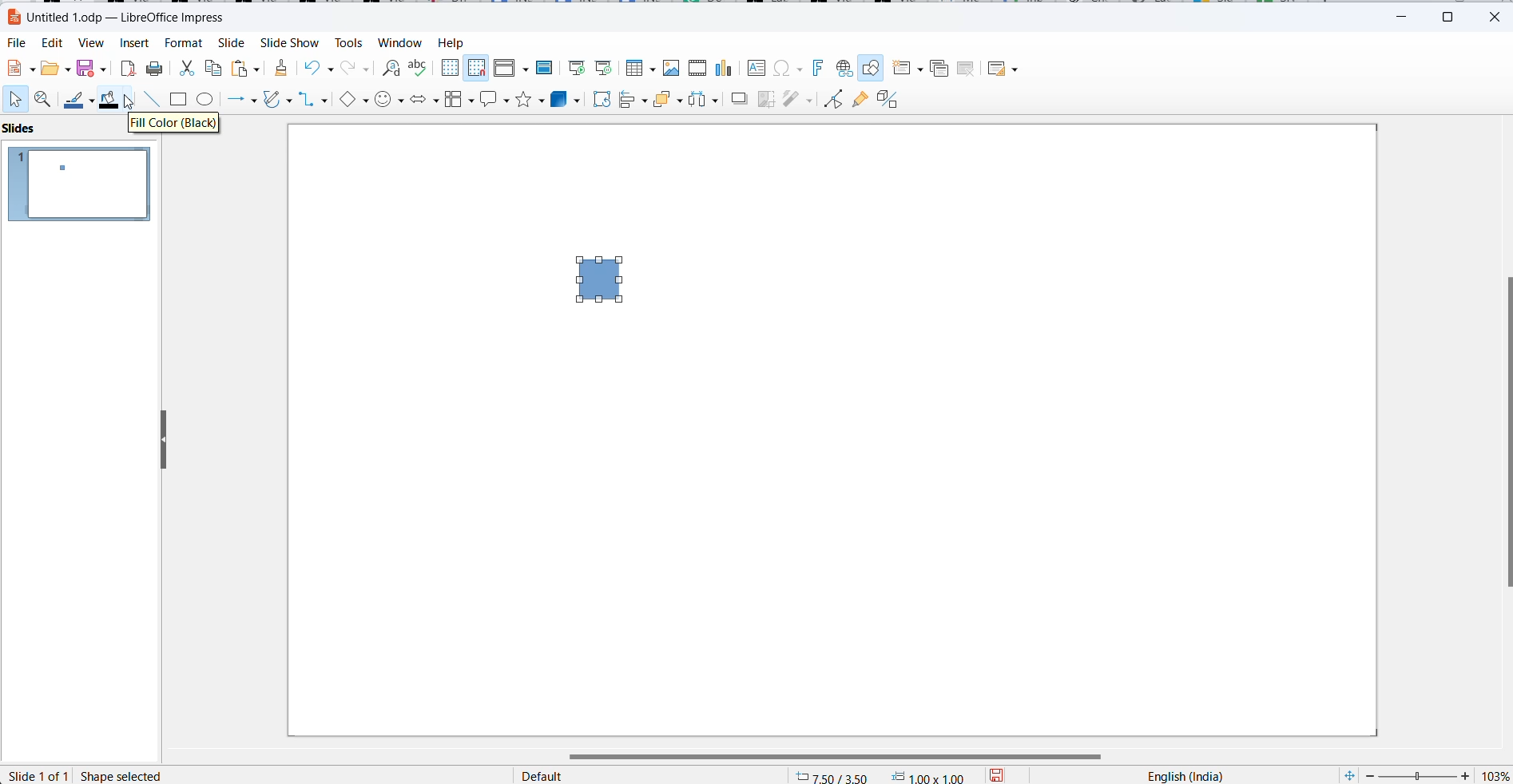 The width and height of the screenshot is (1513, 784). I want to click on slide show, so click(288, 44).